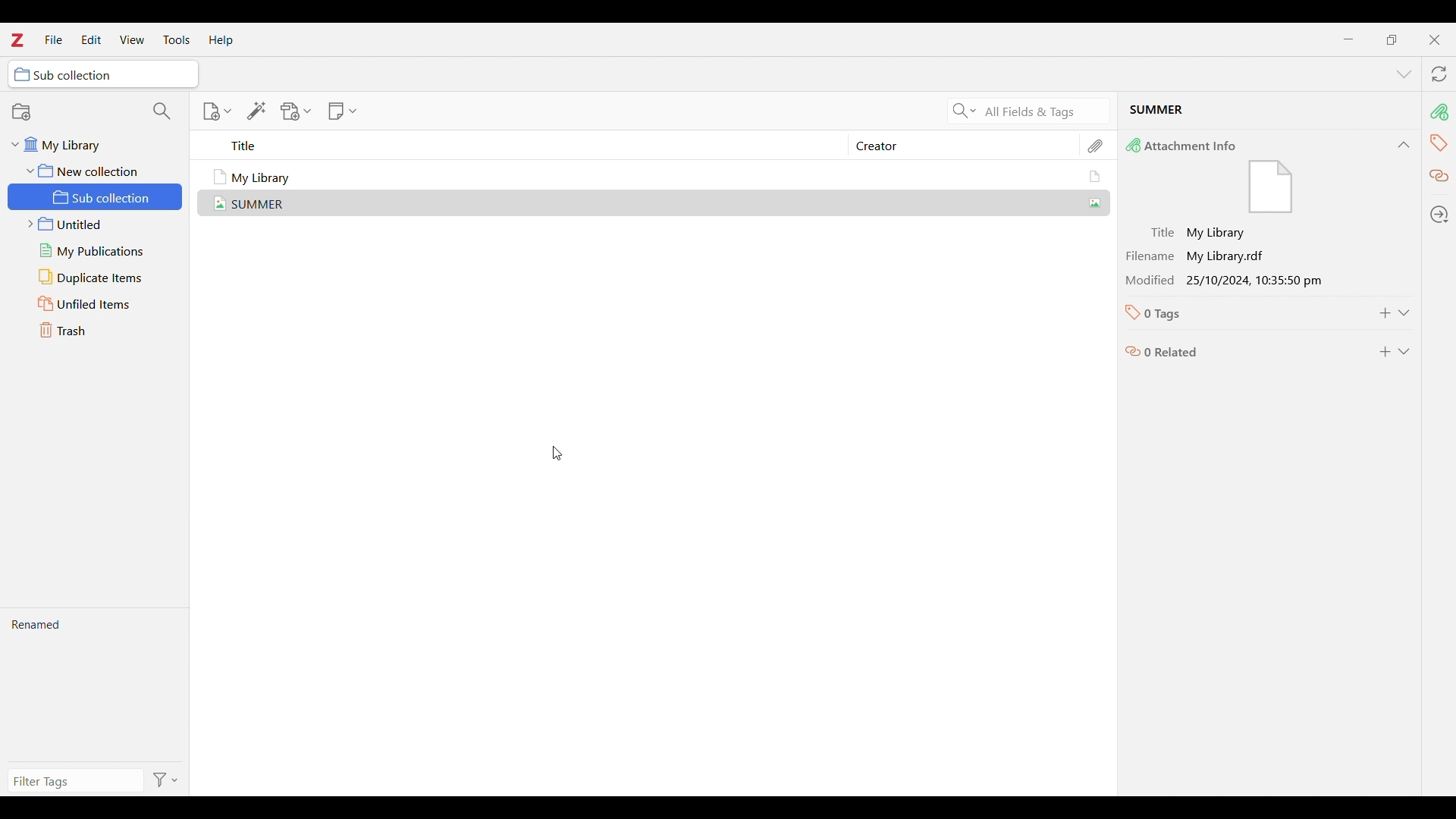  What do you see at coordinates (1439, 177) in the screenshot?
I see `Related` at bounding box center [1439, 177].